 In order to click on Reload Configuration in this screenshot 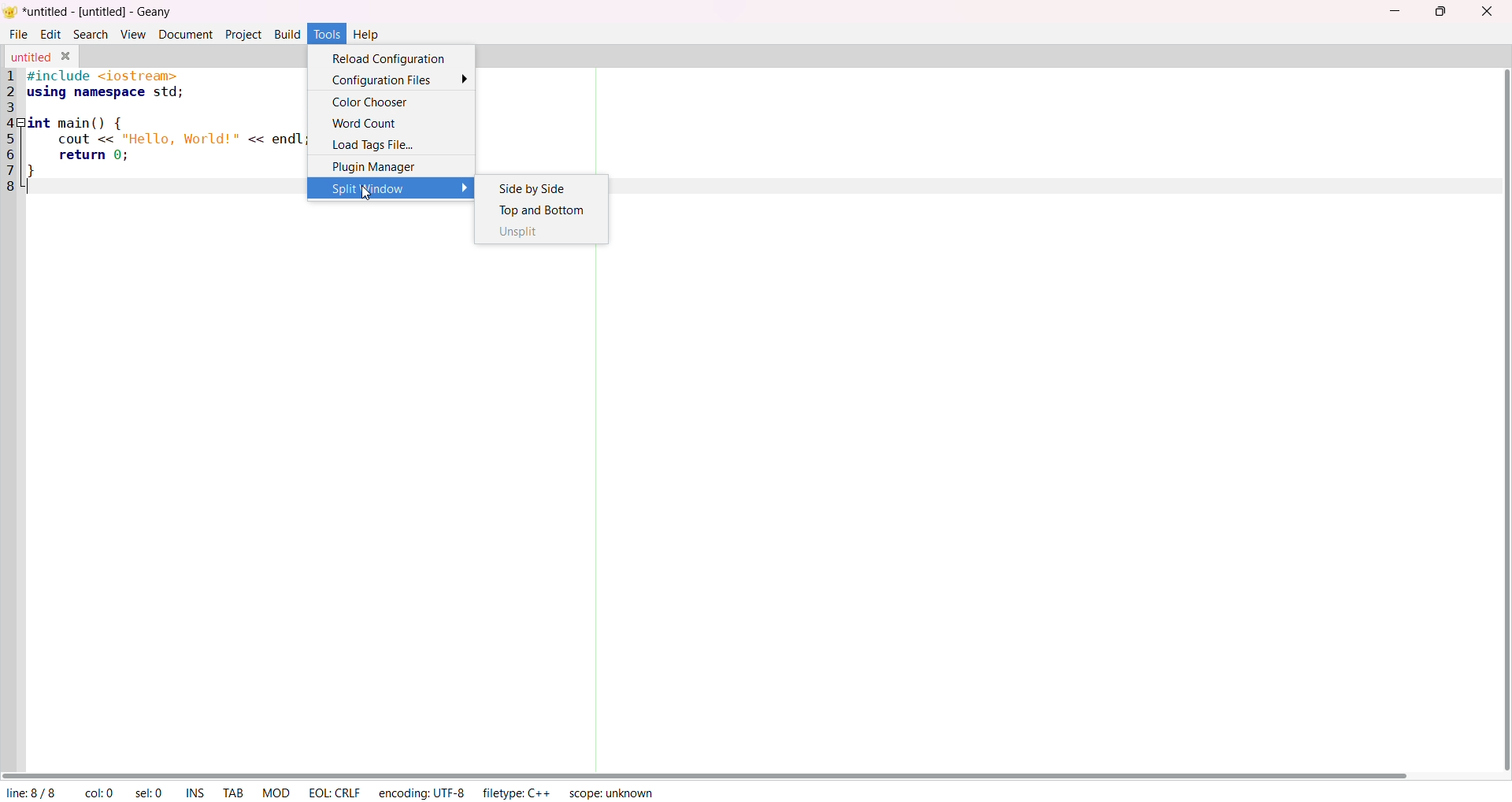, I will do `click(392, 57)`.